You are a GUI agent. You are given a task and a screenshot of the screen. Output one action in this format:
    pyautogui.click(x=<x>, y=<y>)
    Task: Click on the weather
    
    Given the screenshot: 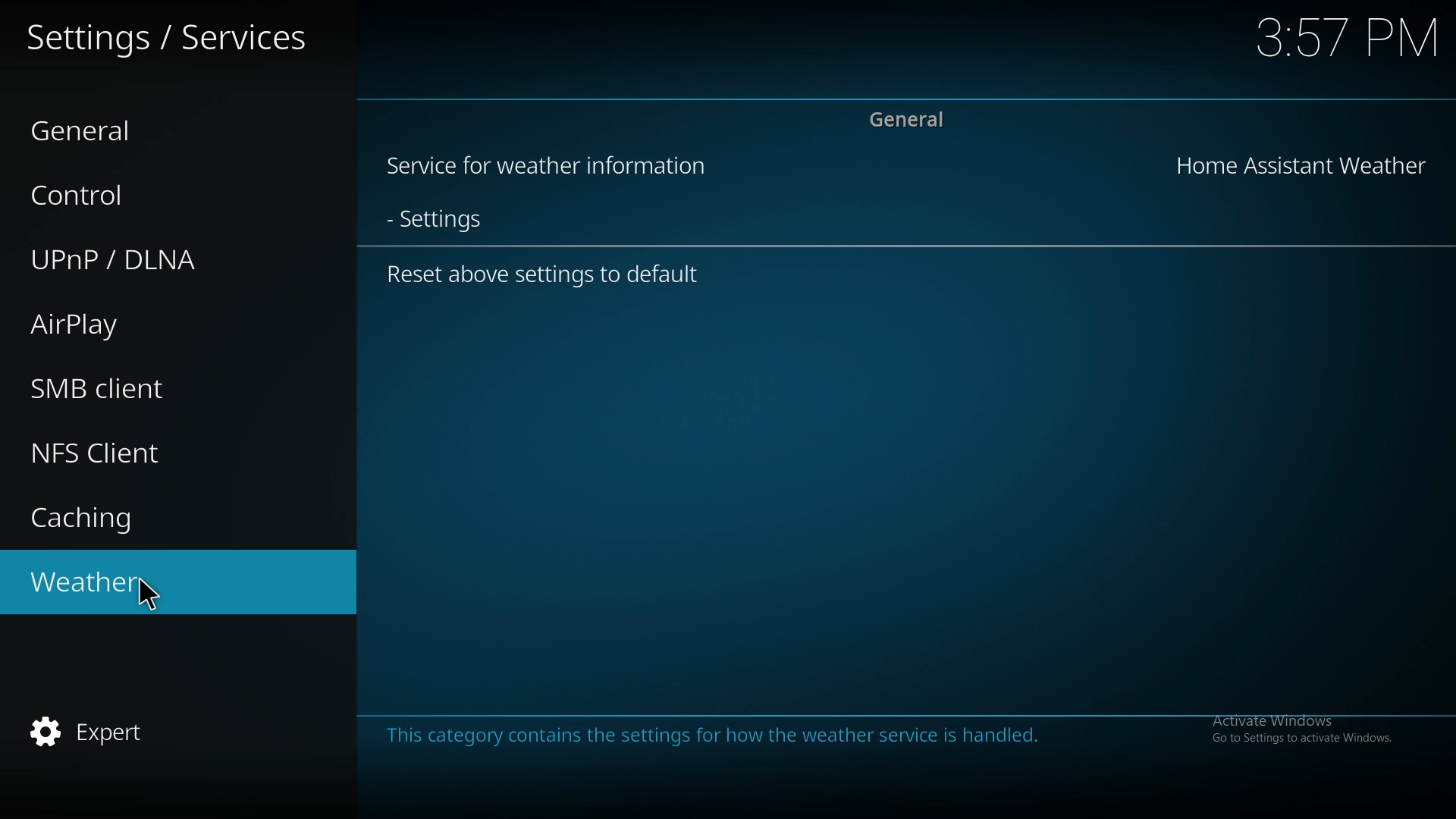 What is the action you would take?
    pyautogui.click(x=78, y=584)
    